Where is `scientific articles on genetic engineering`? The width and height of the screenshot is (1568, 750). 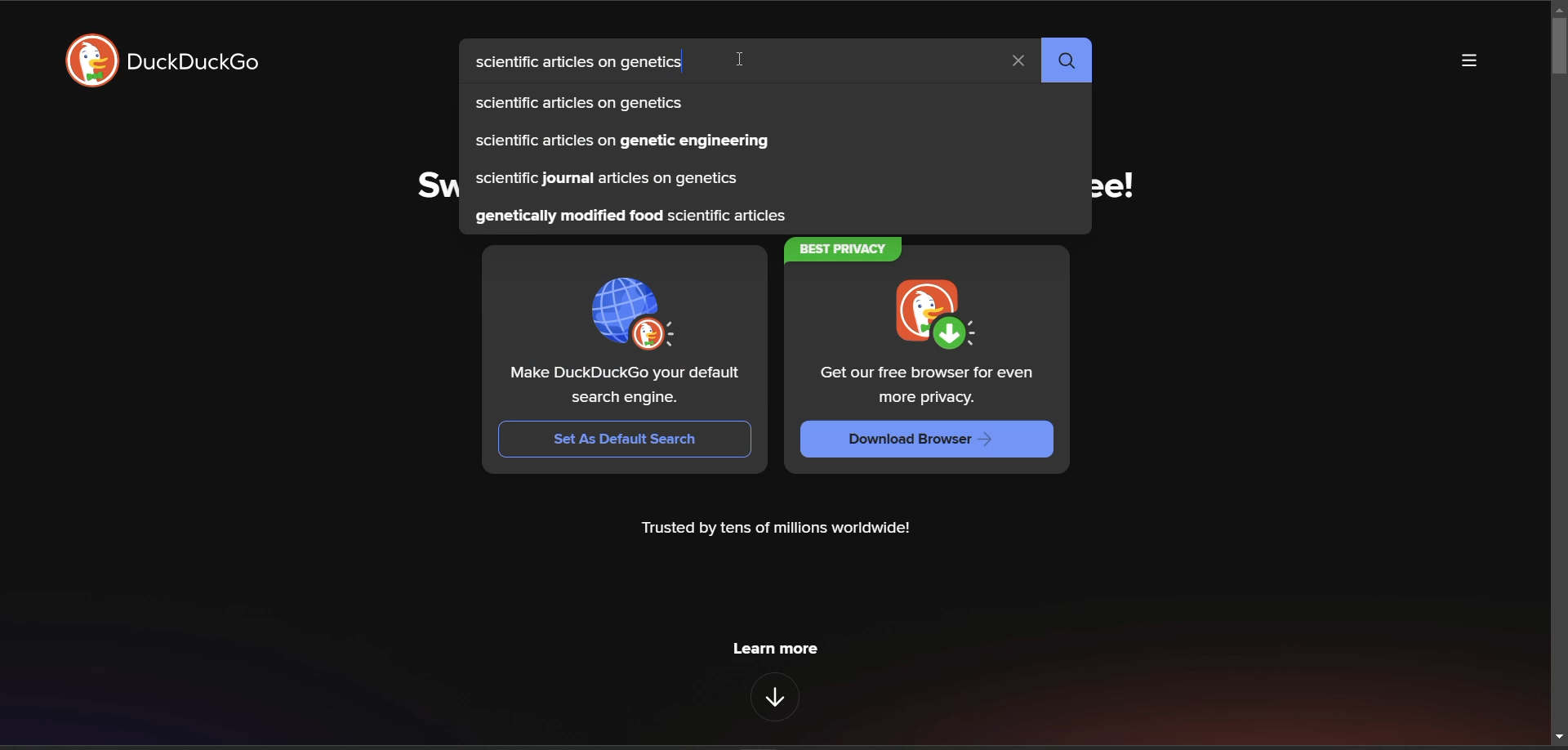
scientific articles on genetic engineering is located at coordinates (630, 143).